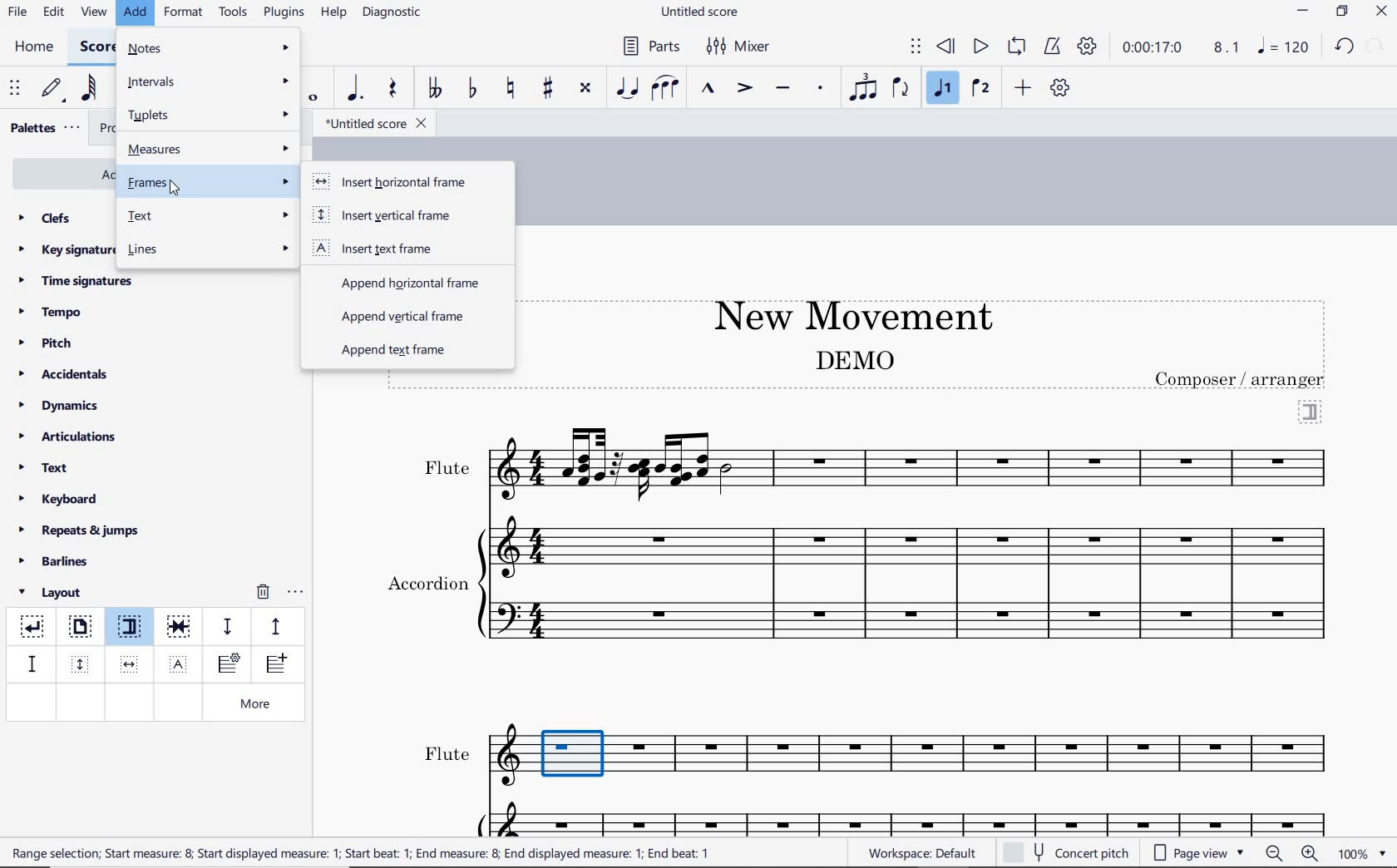  What do you see at coordinates (274, 625) in the screenshot?
I see `staff pacer` at bounding box center [274, 625].